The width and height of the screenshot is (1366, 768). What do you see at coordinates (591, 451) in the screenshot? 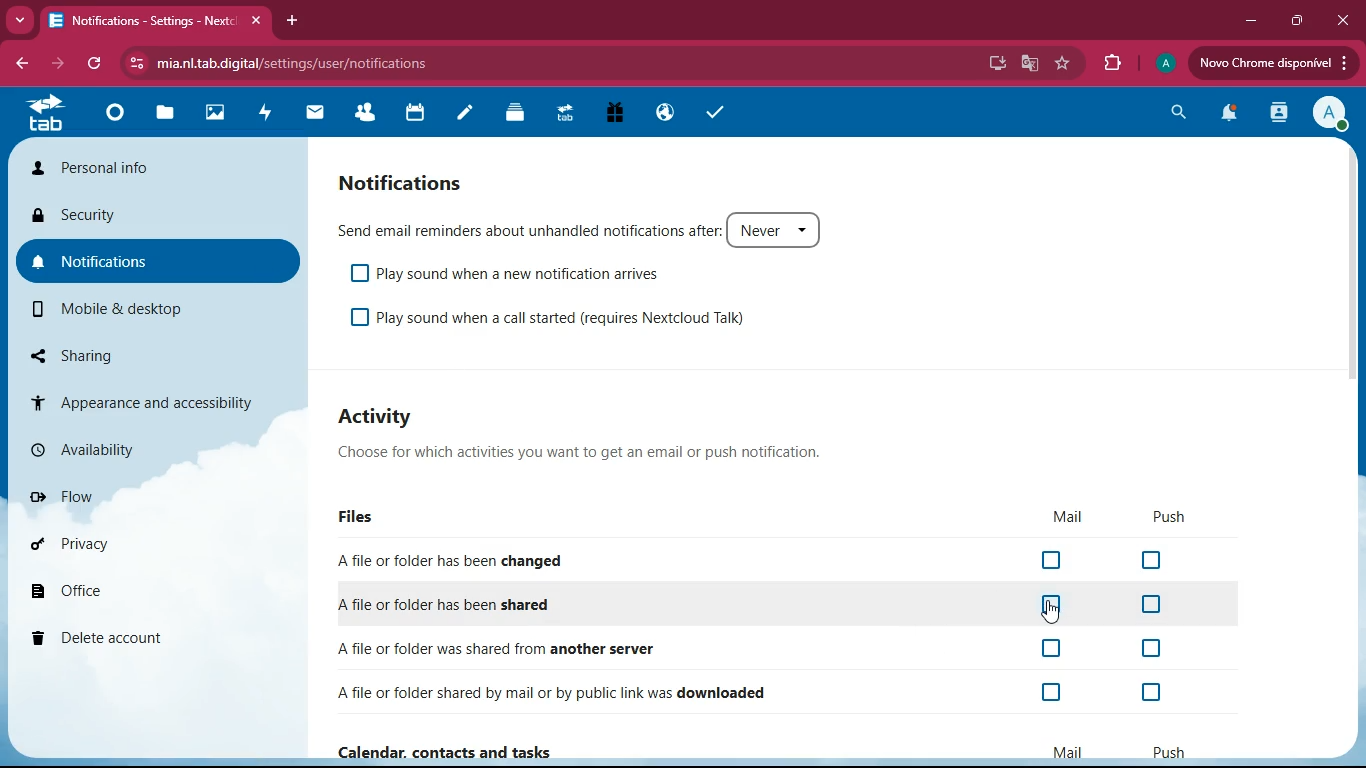
I see `description` at bounding box center [591, 451].